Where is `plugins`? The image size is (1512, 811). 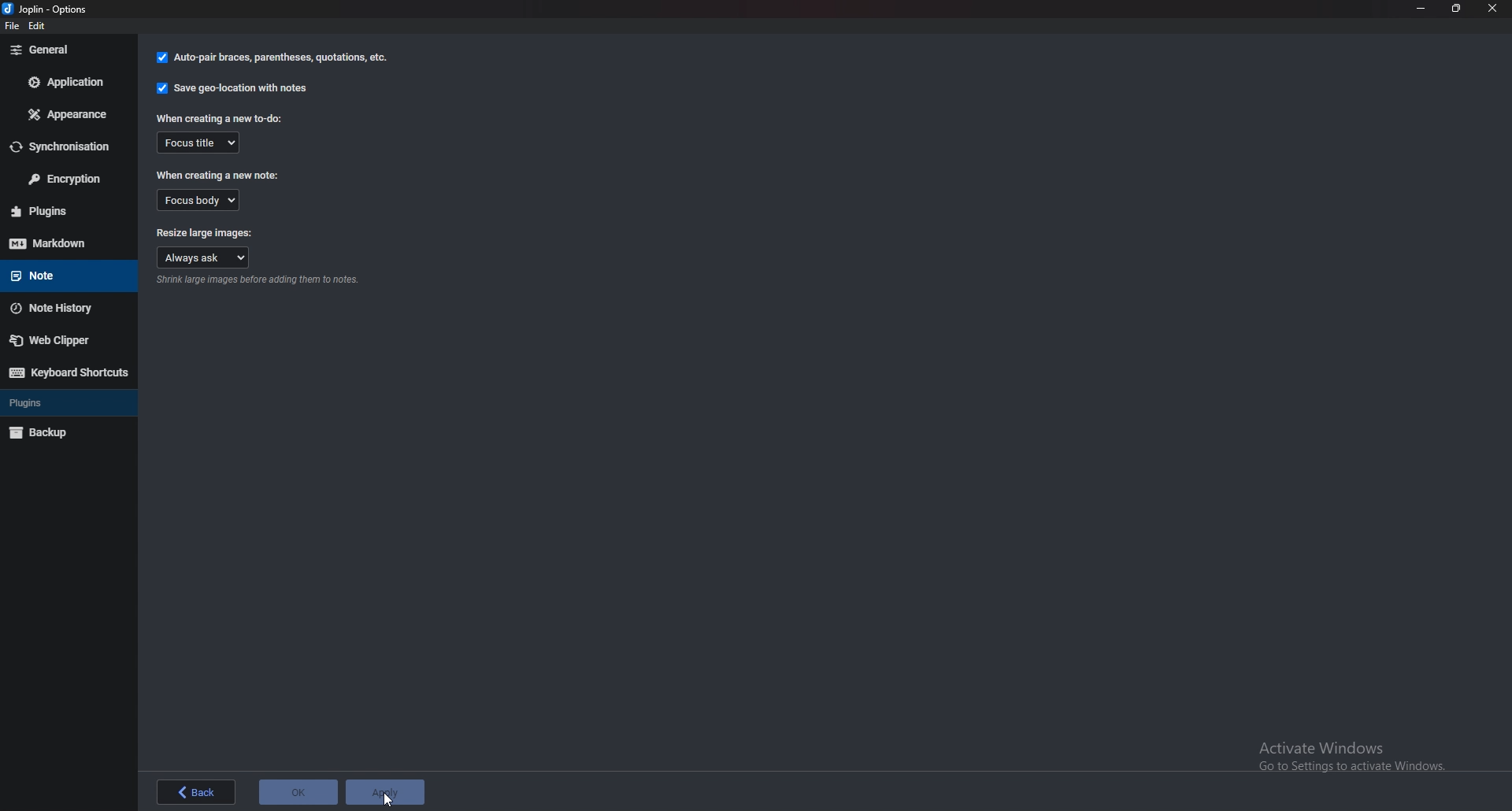 plugins is located at coordinates (67, 210).